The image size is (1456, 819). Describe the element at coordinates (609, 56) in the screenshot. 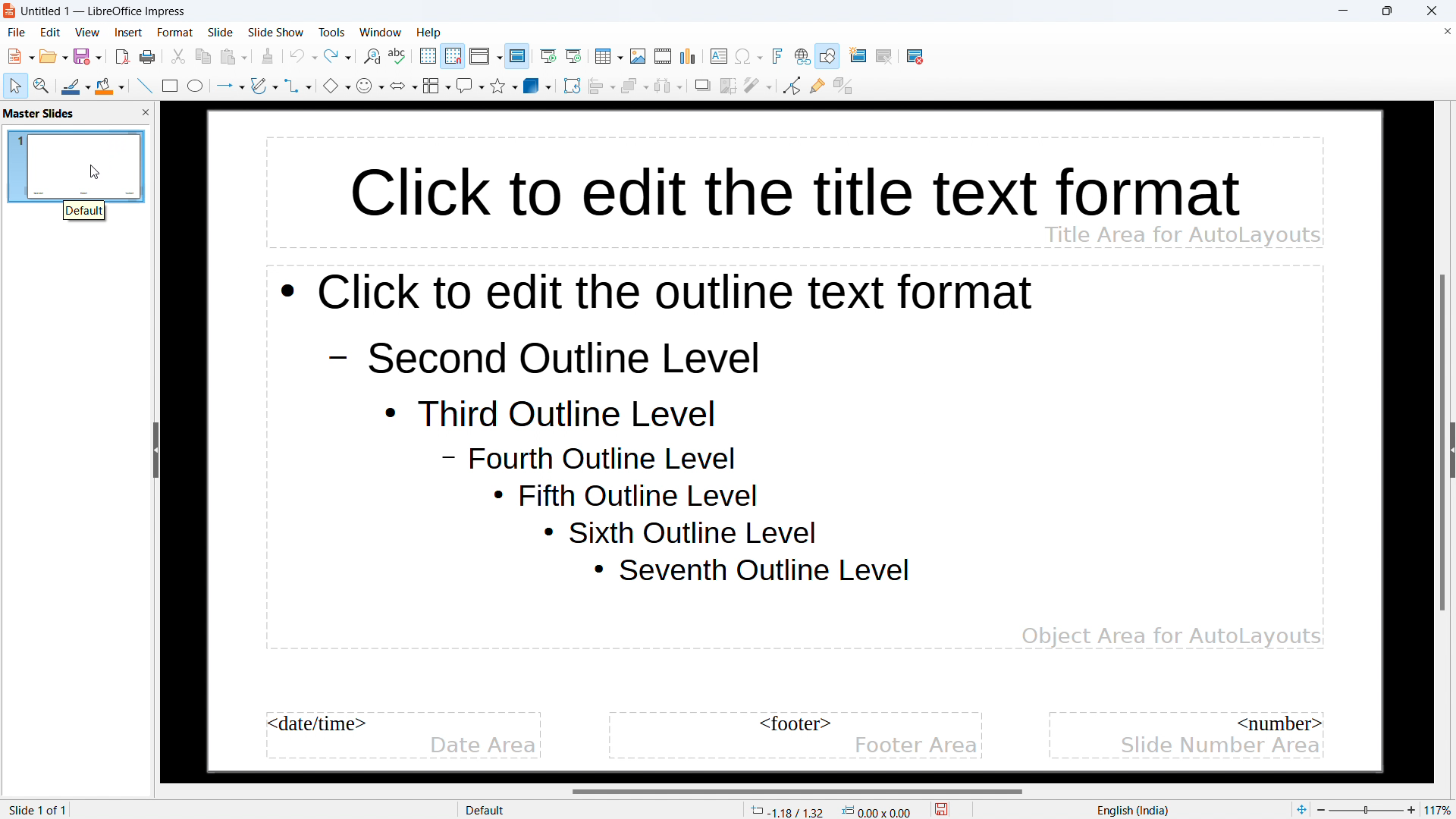

I see `insert table` at that location.